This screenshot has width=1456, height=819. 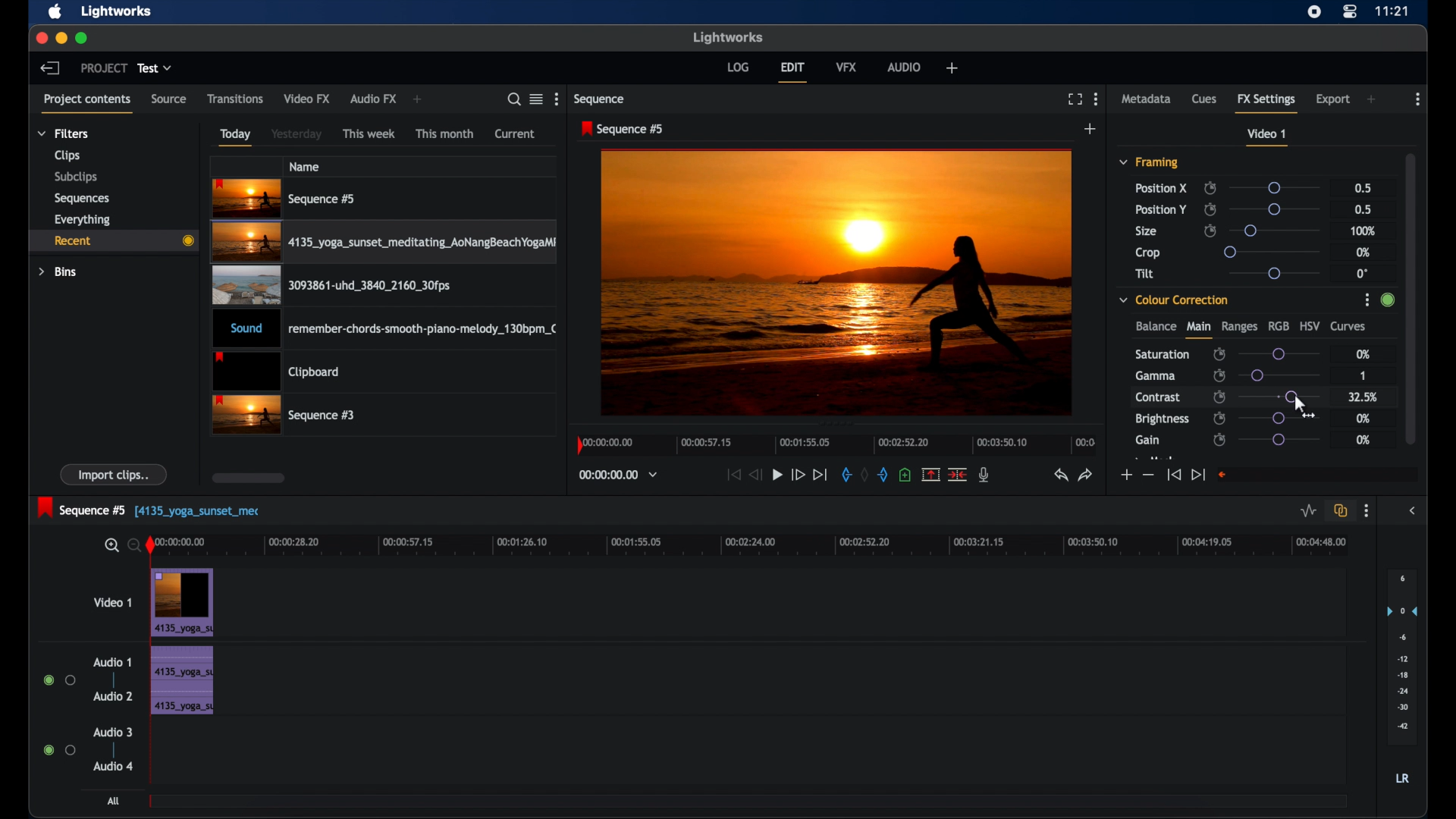 I want to click on full screen, so click(x=1075, y=99).